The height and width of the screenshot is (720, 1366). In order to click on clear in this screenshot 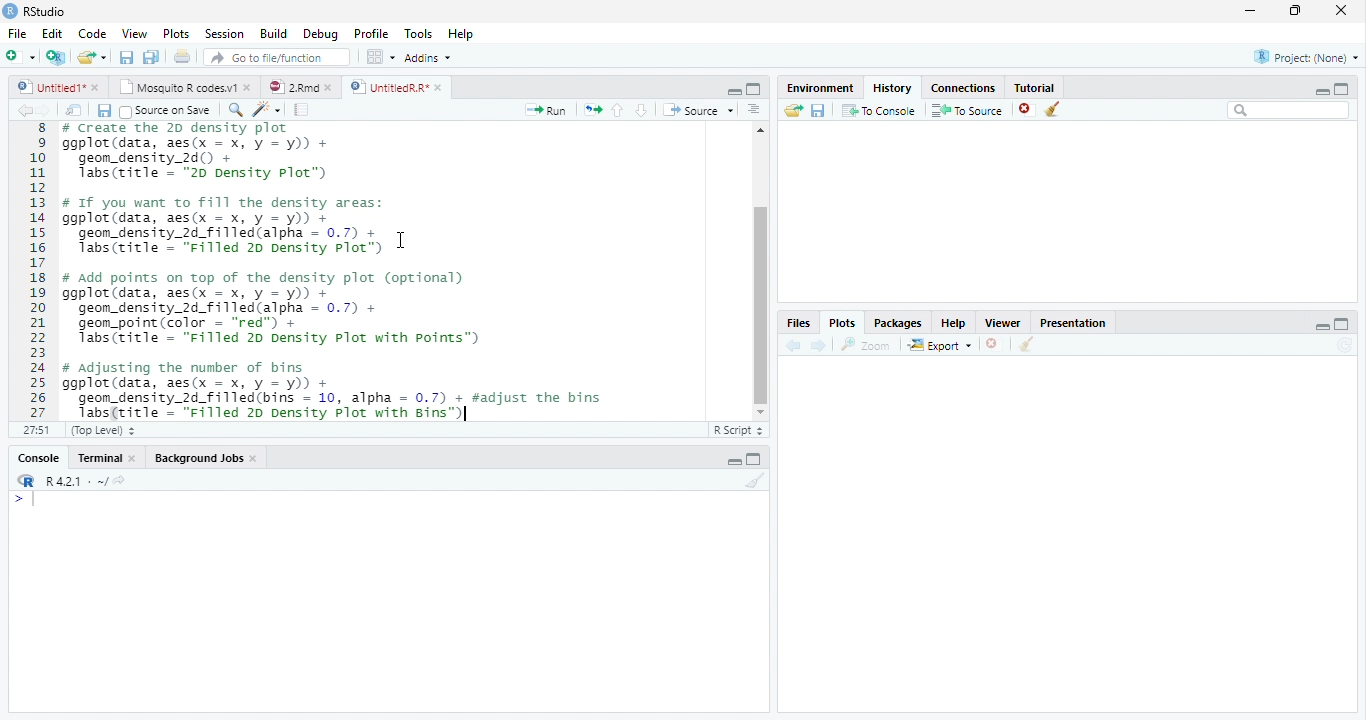, I will do `click(1026, 346)`.